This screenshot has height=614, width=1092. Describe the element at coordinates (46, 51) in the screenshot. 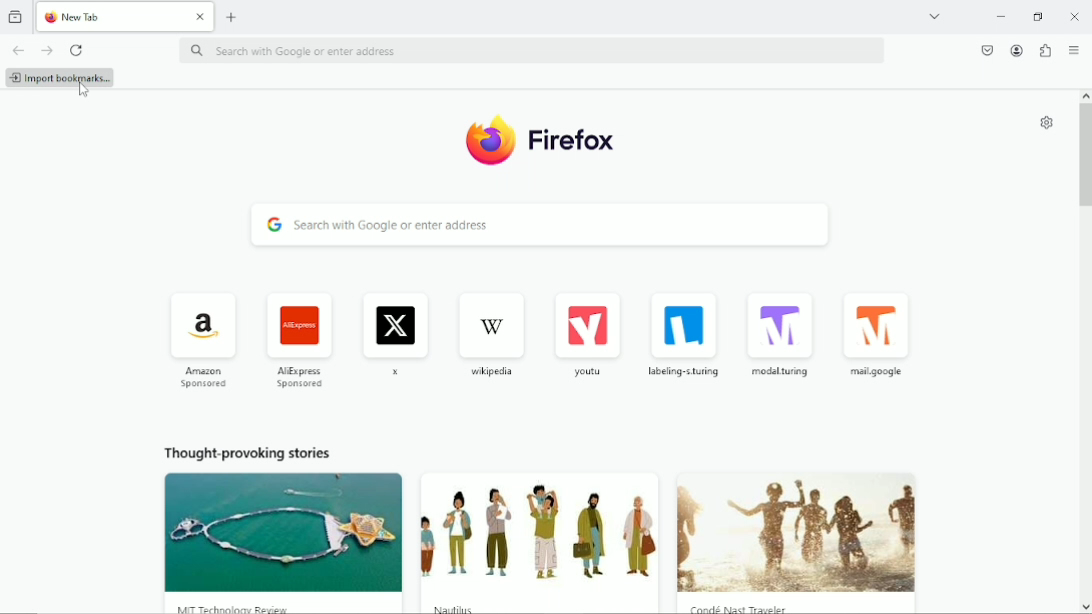

I see `go forward` at that location.